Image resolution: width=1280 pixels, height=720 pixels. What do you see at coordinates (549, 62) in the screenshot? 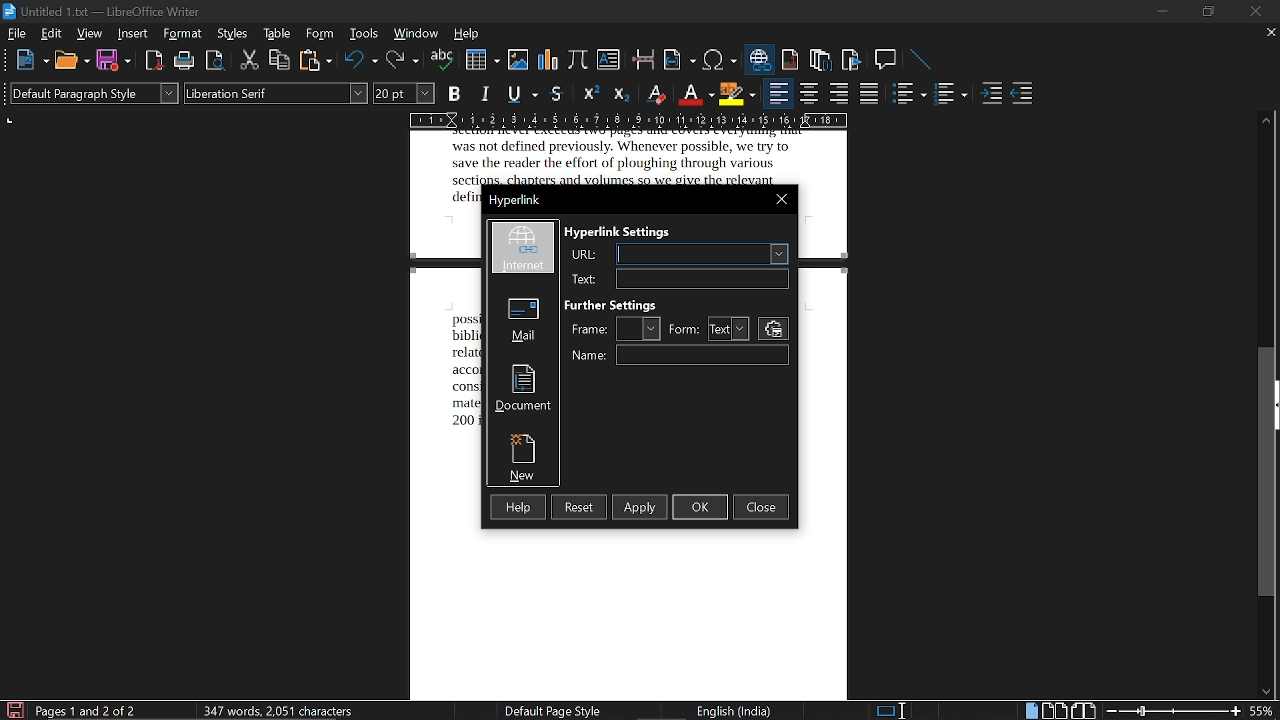
I see `insert chart` at bounding box center [549, 62].